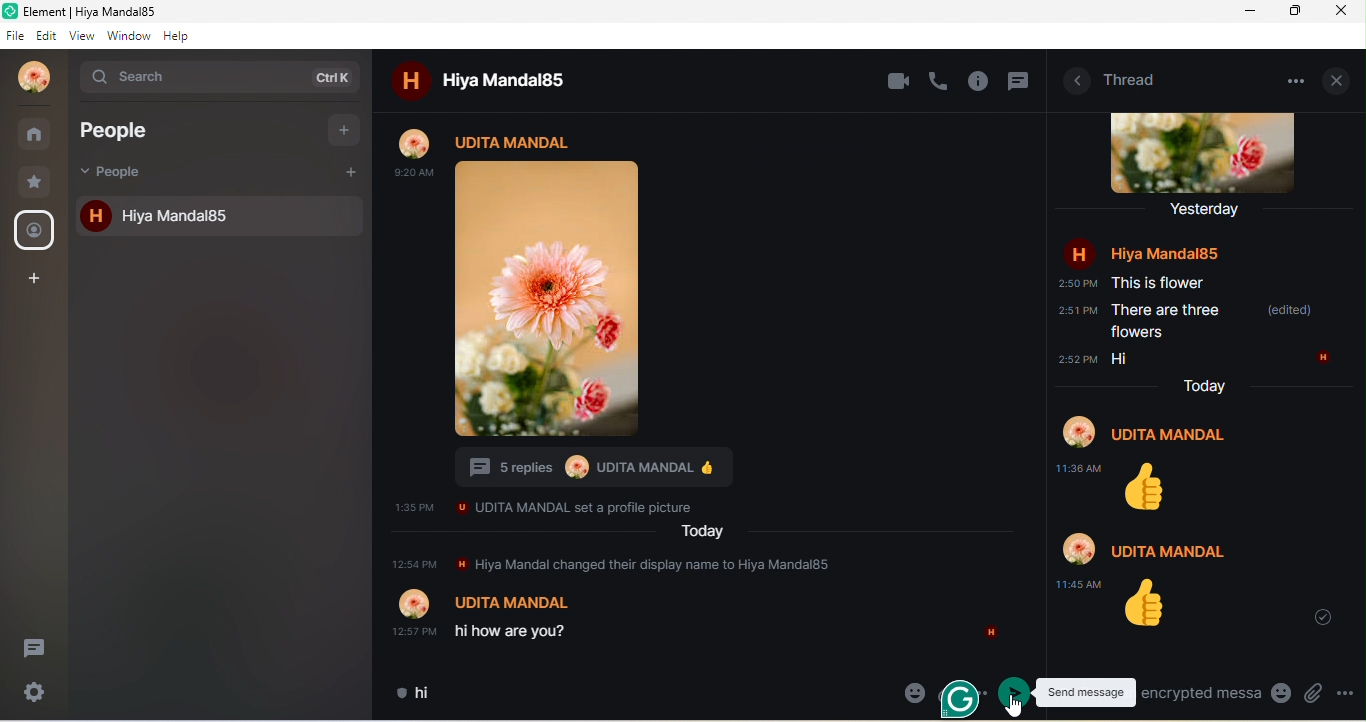 The height and width of the screenshot is (722, 1366). I want to click on Hiya Mandal85, so click(1164, 254).